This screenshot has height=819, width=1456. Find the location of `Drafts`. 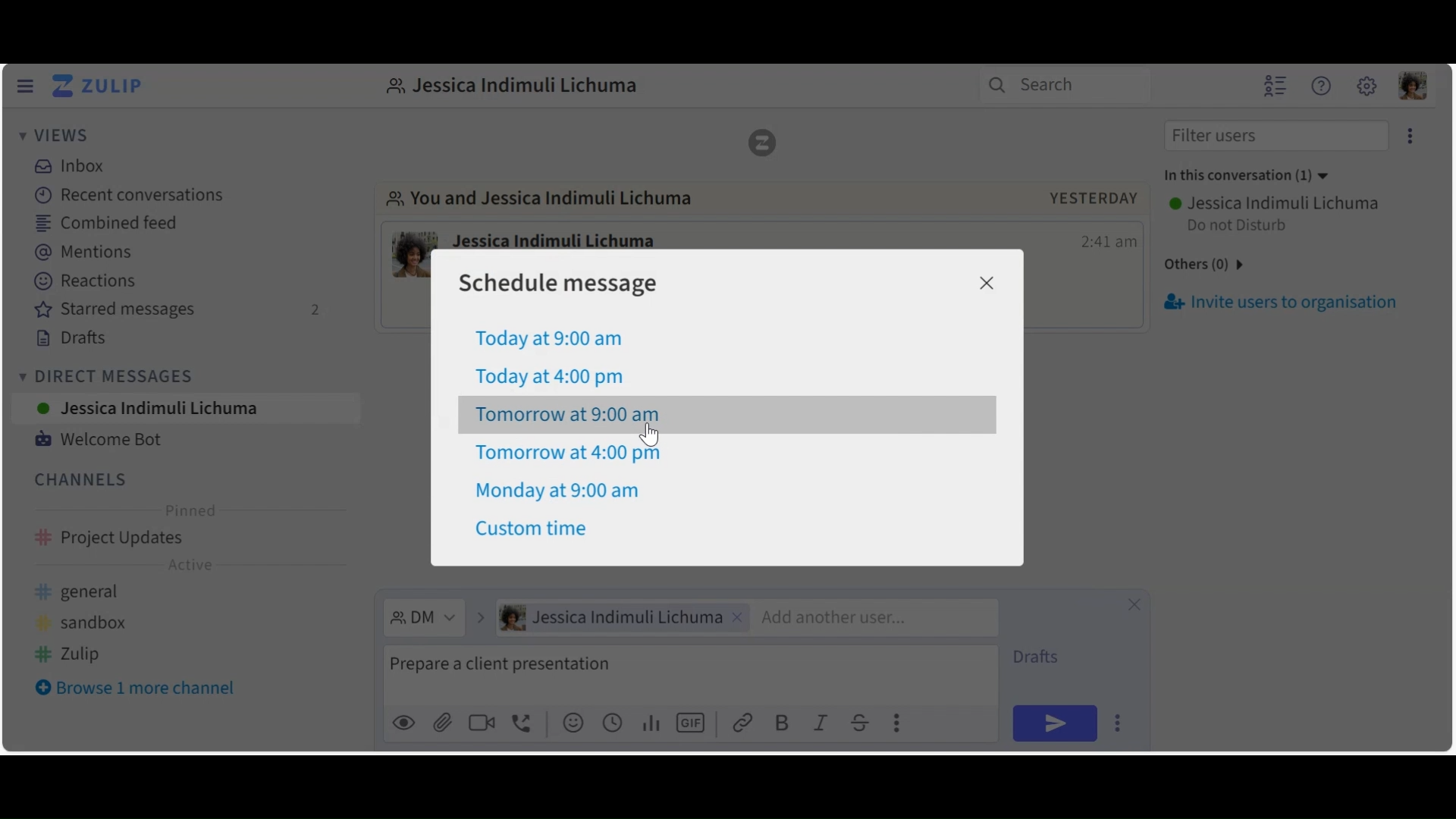

Drafts is located at coordinates (81, 340).